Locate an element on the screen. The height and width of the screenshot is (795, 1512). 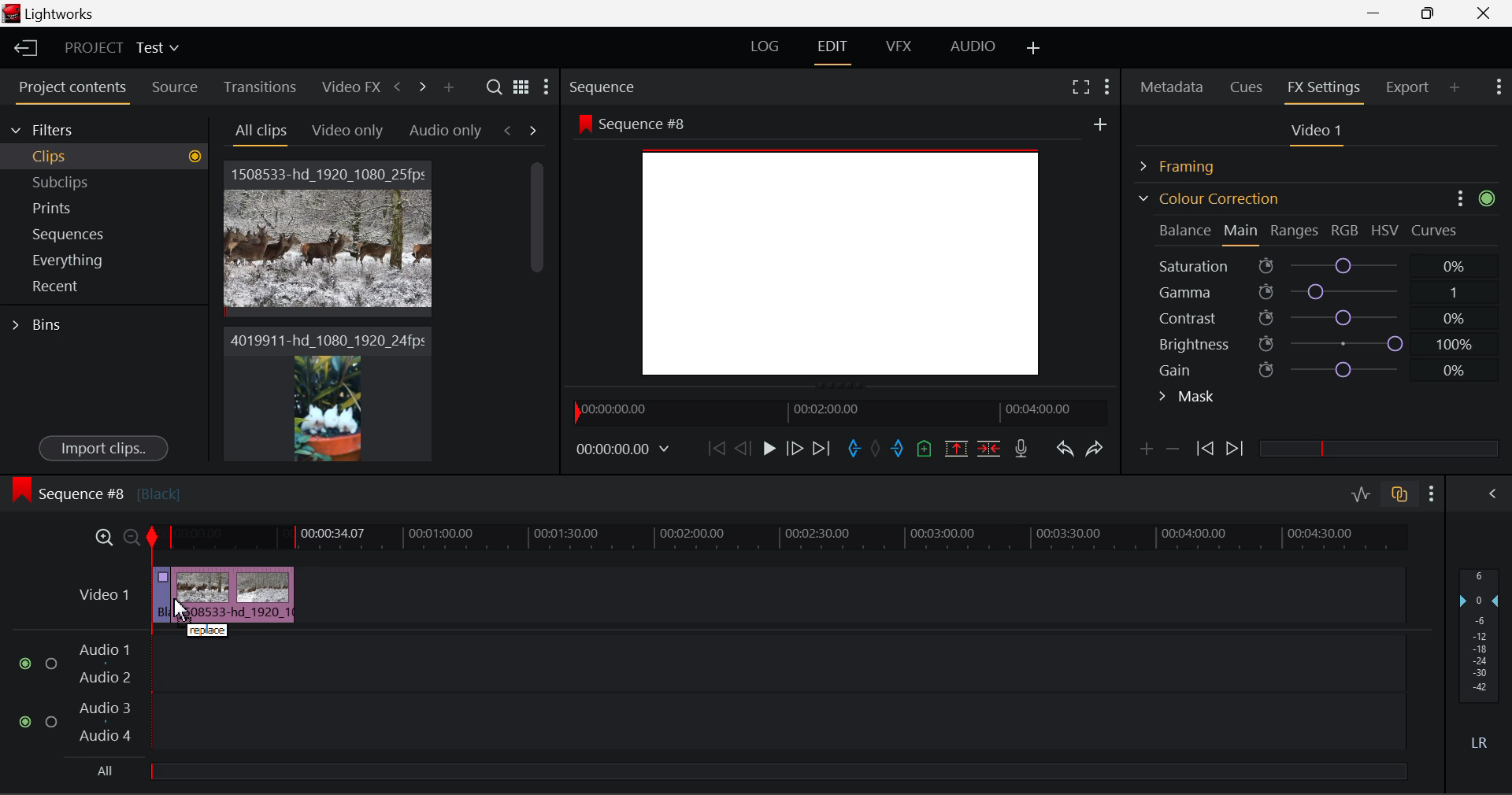
Timeline Zoom Out is located at coordinates (131, 537).